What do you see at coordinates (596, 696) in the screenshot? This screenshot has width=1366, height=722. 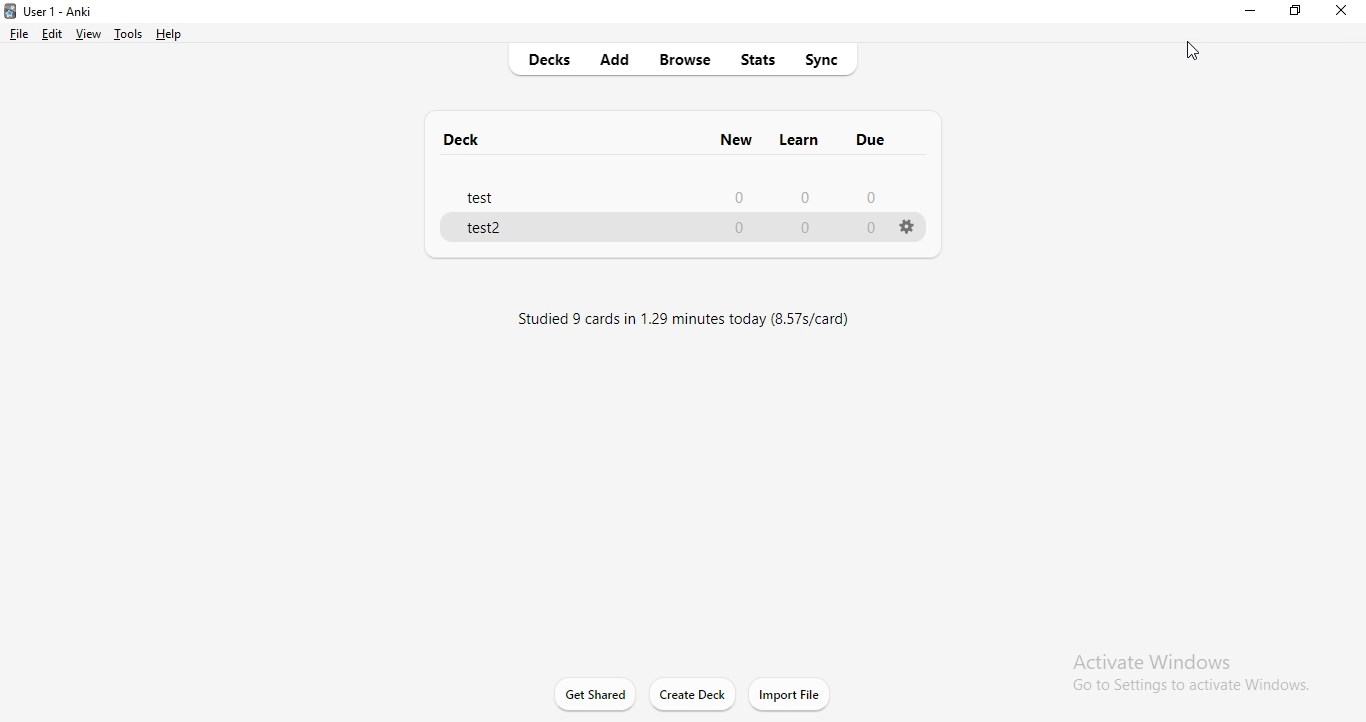 I see `get shared` at bounding box center [596, 696].